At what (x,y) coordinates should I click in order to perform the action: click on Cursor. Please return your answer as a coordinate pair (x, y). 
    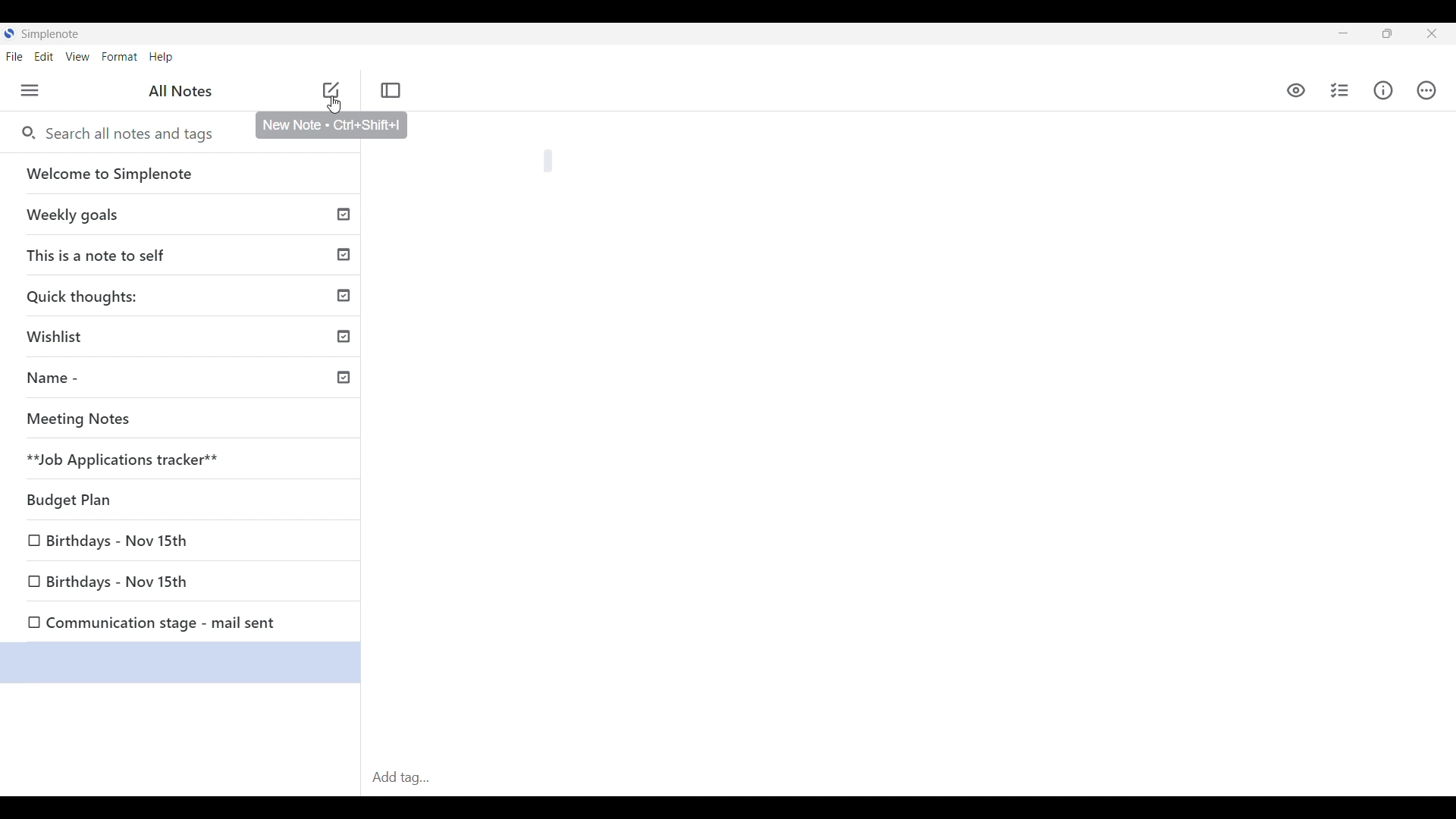
    Looking at the image, I should click on (336, 109).